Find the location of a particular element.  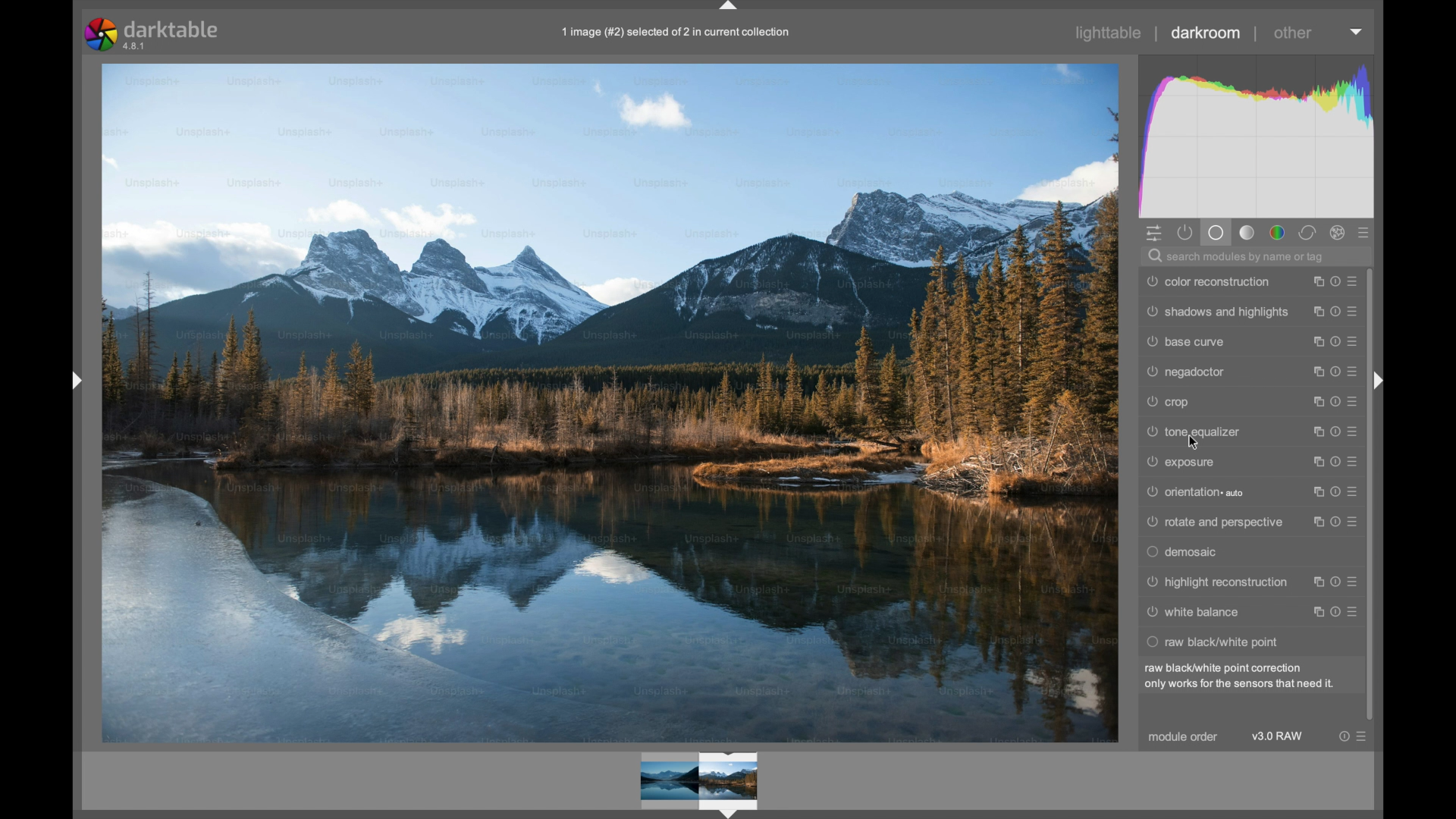

instance is located at coordinates (1316, 582).